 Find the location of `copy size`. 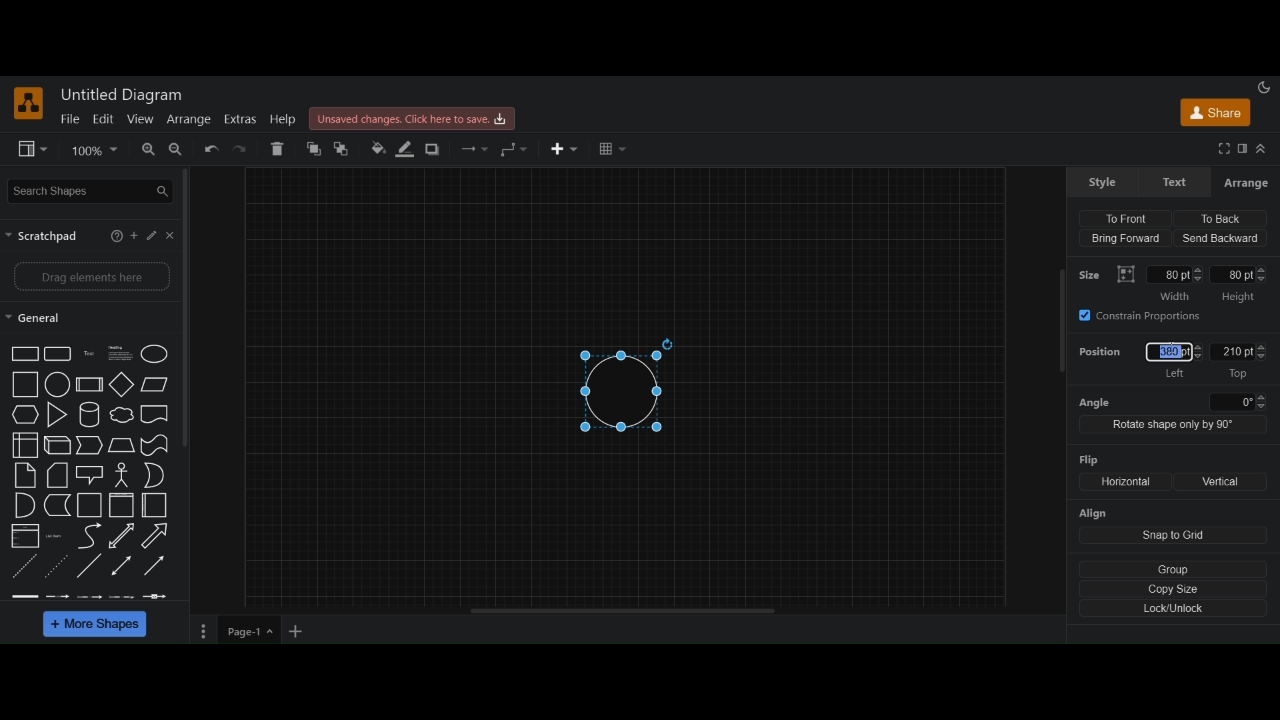

copy size is located at coordinates (1175, 588).